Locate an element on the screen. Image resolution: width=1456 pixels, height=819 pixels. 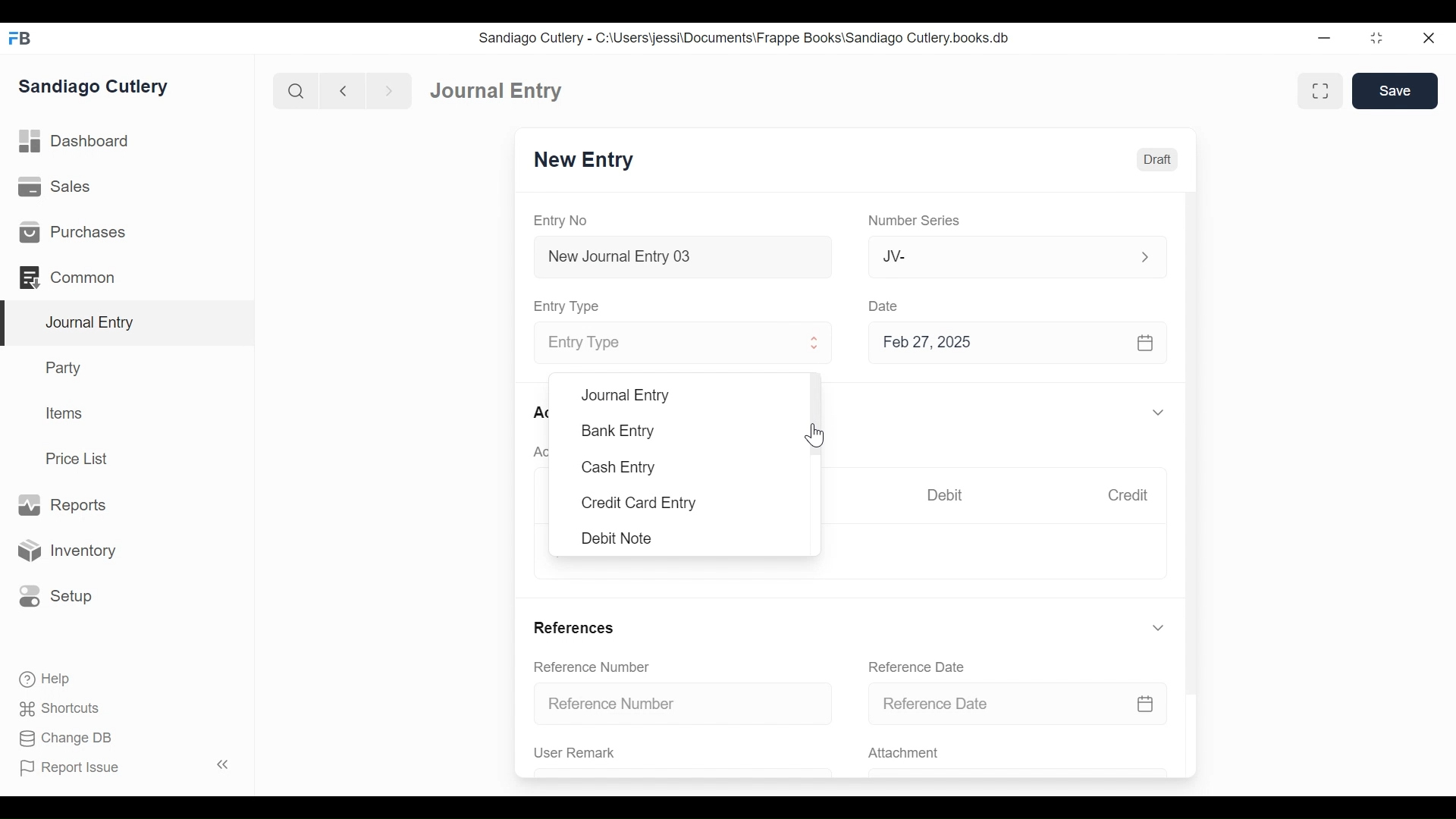
Price List is located at coordinates (80, 458).